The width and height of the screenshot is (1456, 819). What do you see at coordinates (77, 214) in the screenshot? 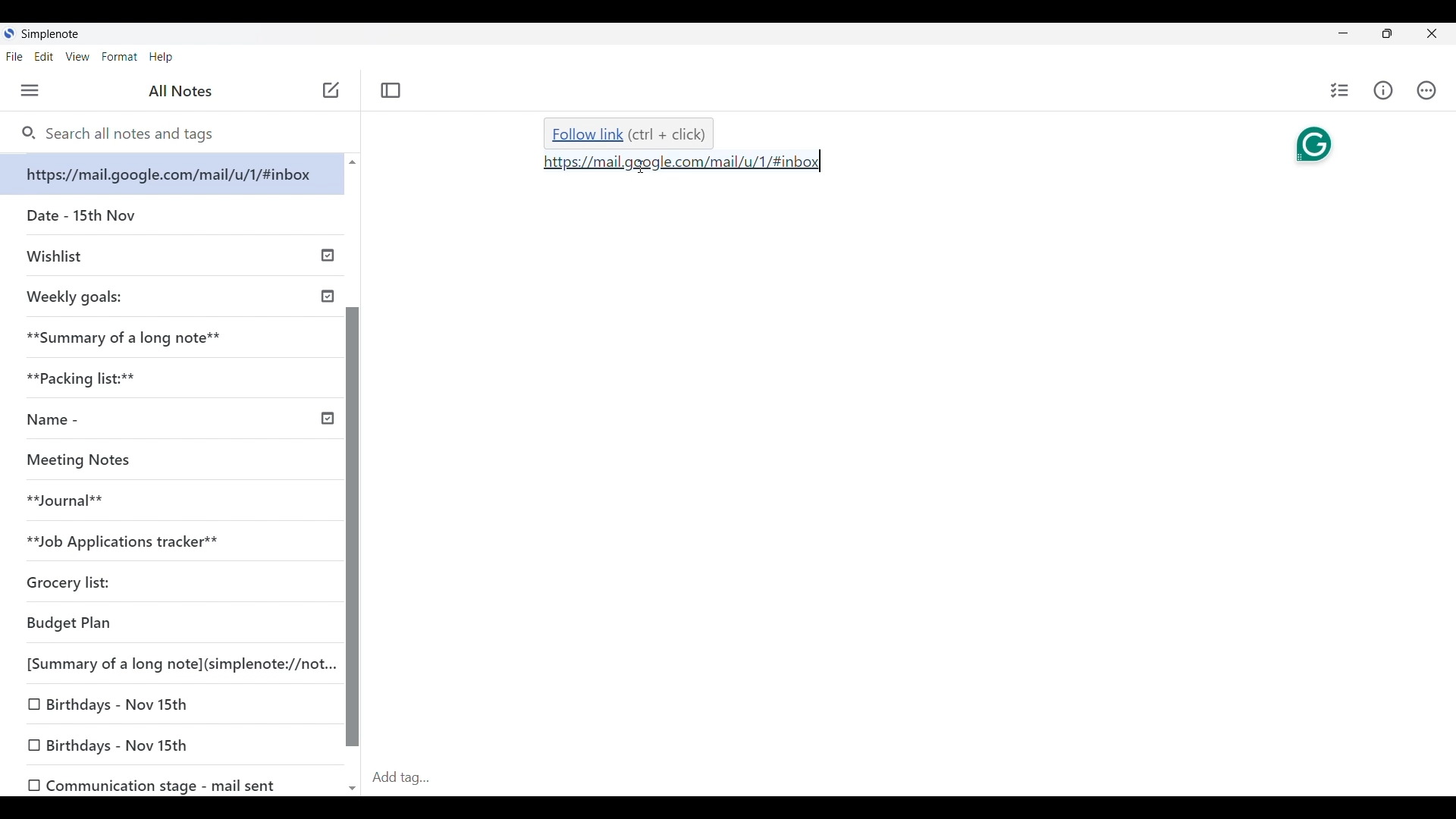
I see `Date - 15th Nov` at bounding box center [77, 214].